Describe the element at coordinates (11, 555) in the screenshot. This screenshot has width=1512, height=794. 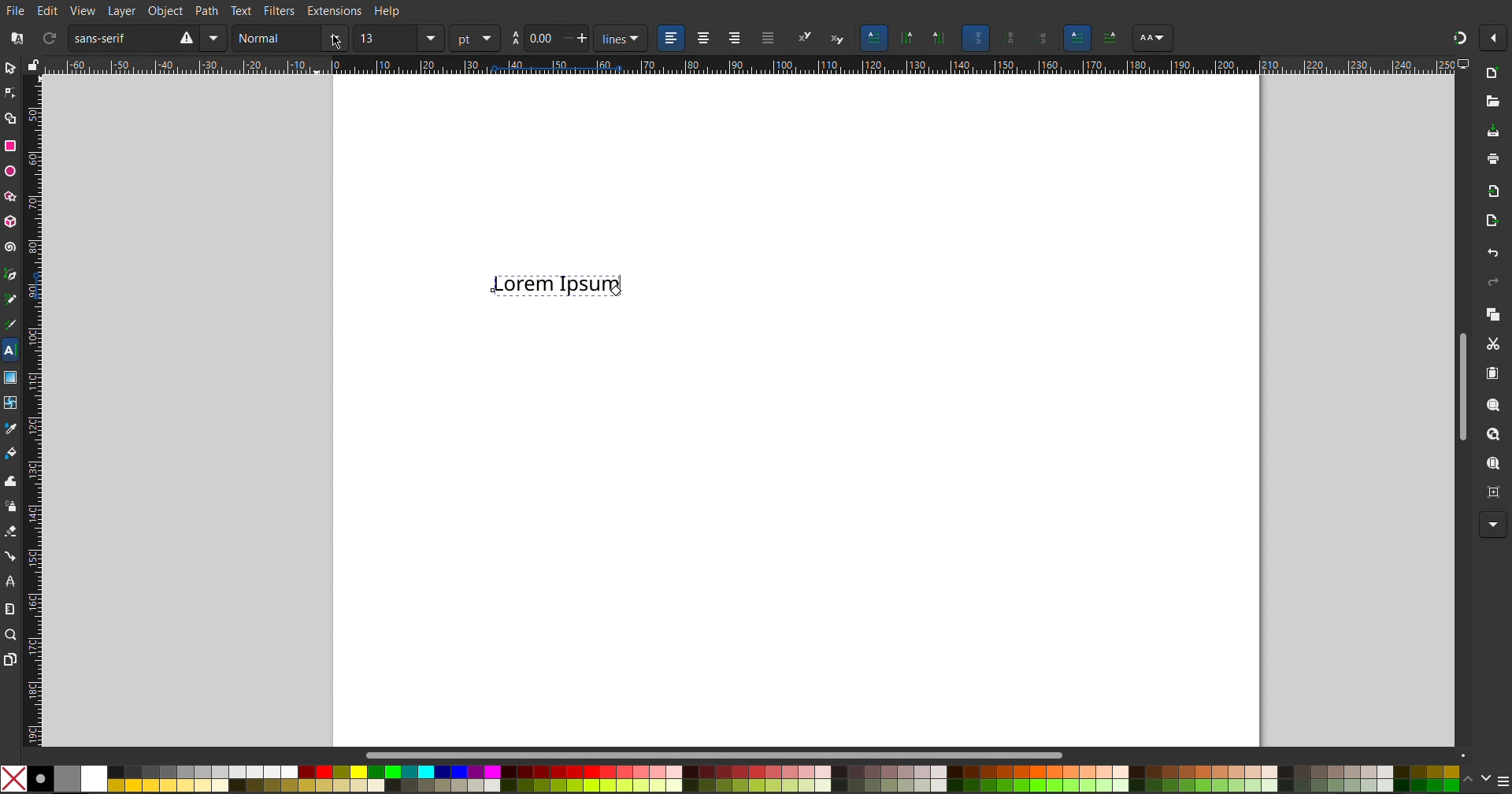
I see `Connector Tool` at that location.